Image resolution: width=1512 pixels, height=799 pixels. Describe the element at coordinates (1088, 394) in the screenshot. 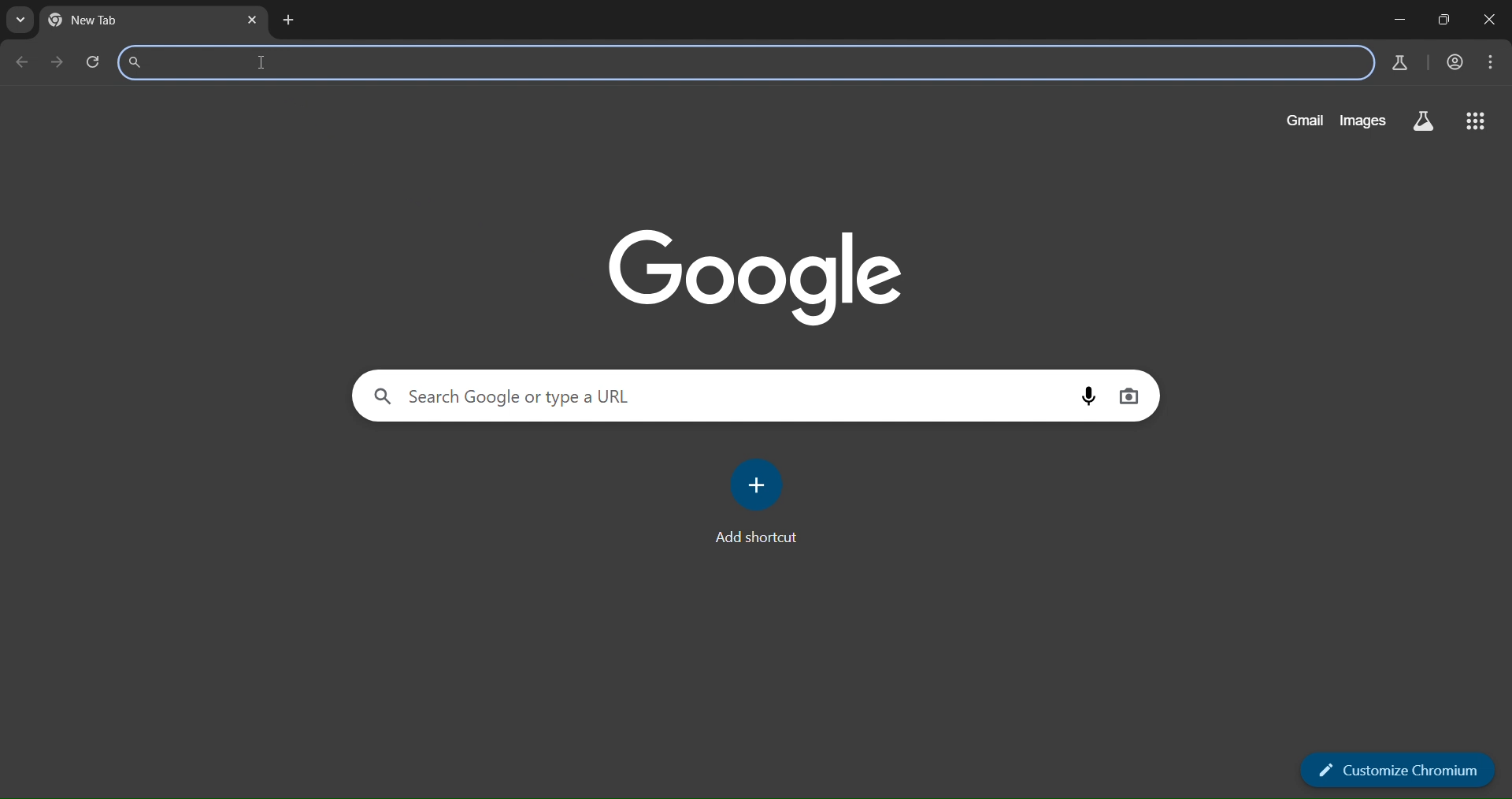

I see `voice search` at that location.